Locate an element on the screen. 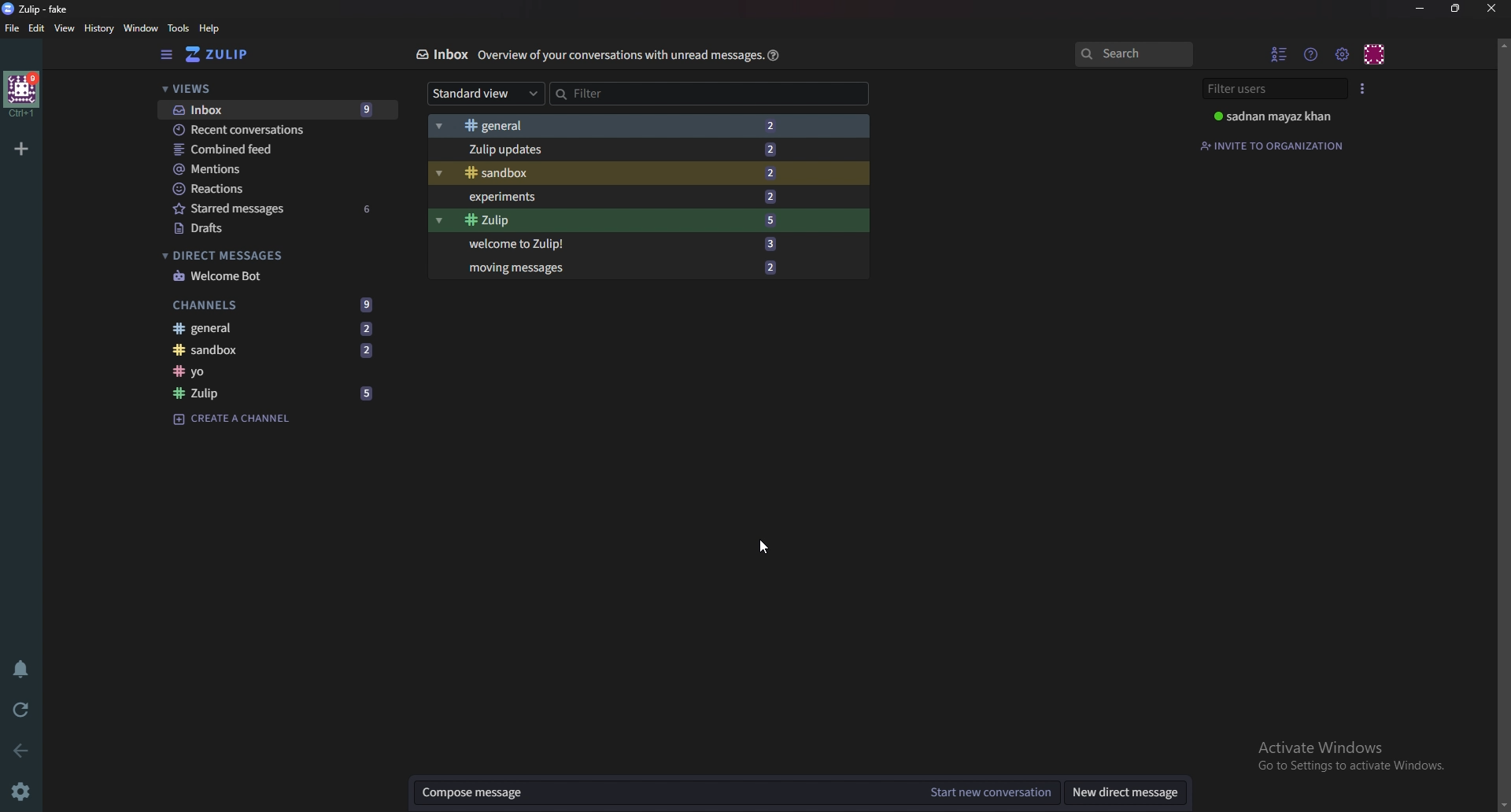 This screenshot has height=812, width=1511. Reactions is located at coordinates (275, 189).